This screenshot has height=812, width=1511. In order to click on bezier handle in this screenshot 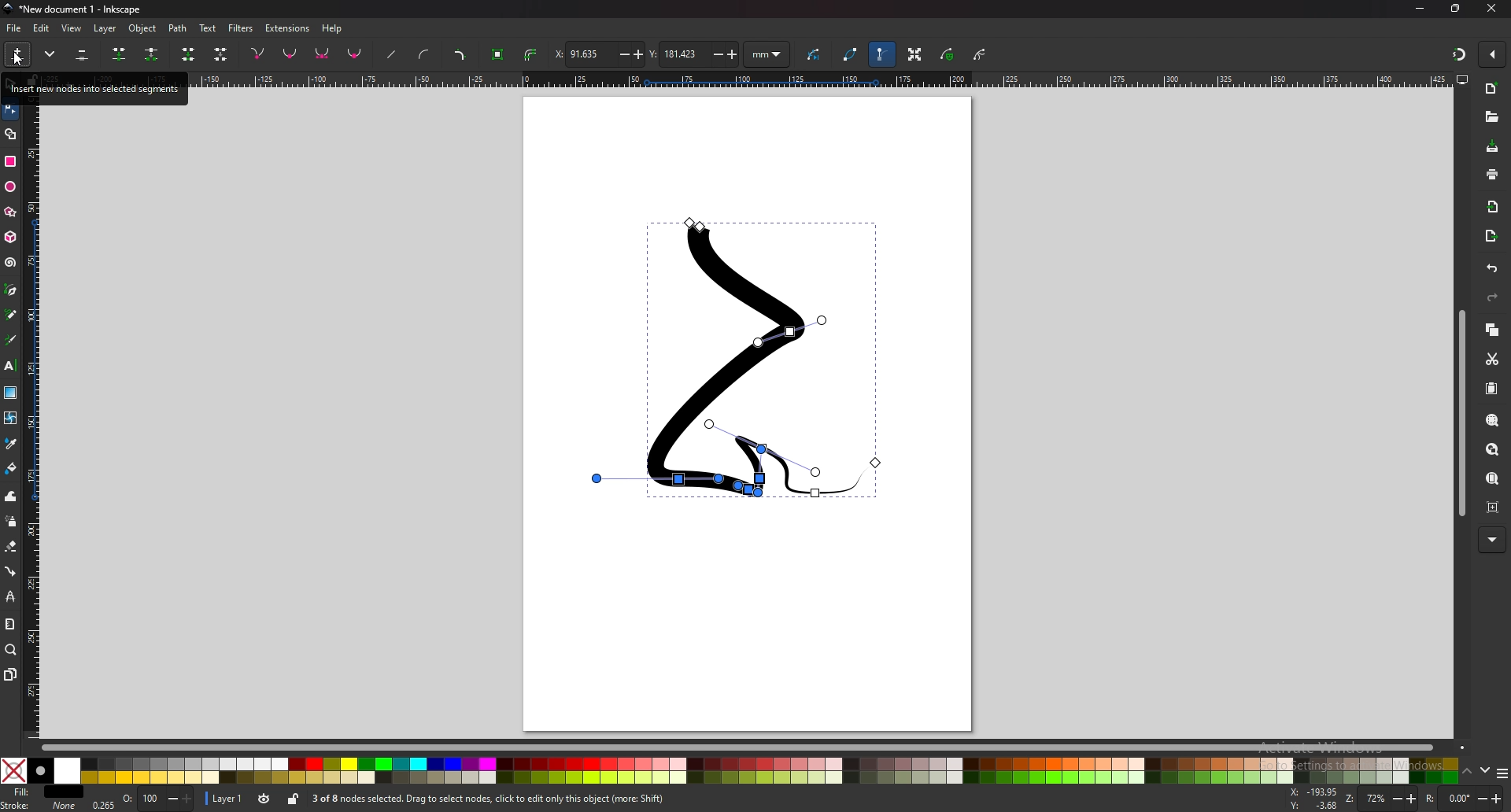, I will do `click(882, 55)`.